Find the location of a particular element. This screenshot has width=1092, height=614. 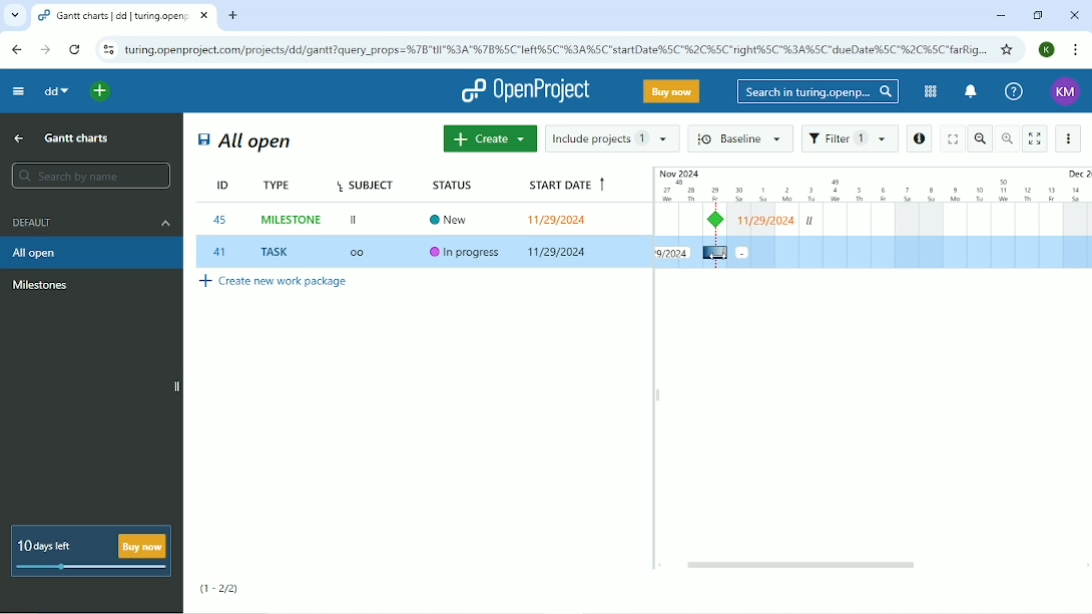

Duration is located at coordinates (872, 184).